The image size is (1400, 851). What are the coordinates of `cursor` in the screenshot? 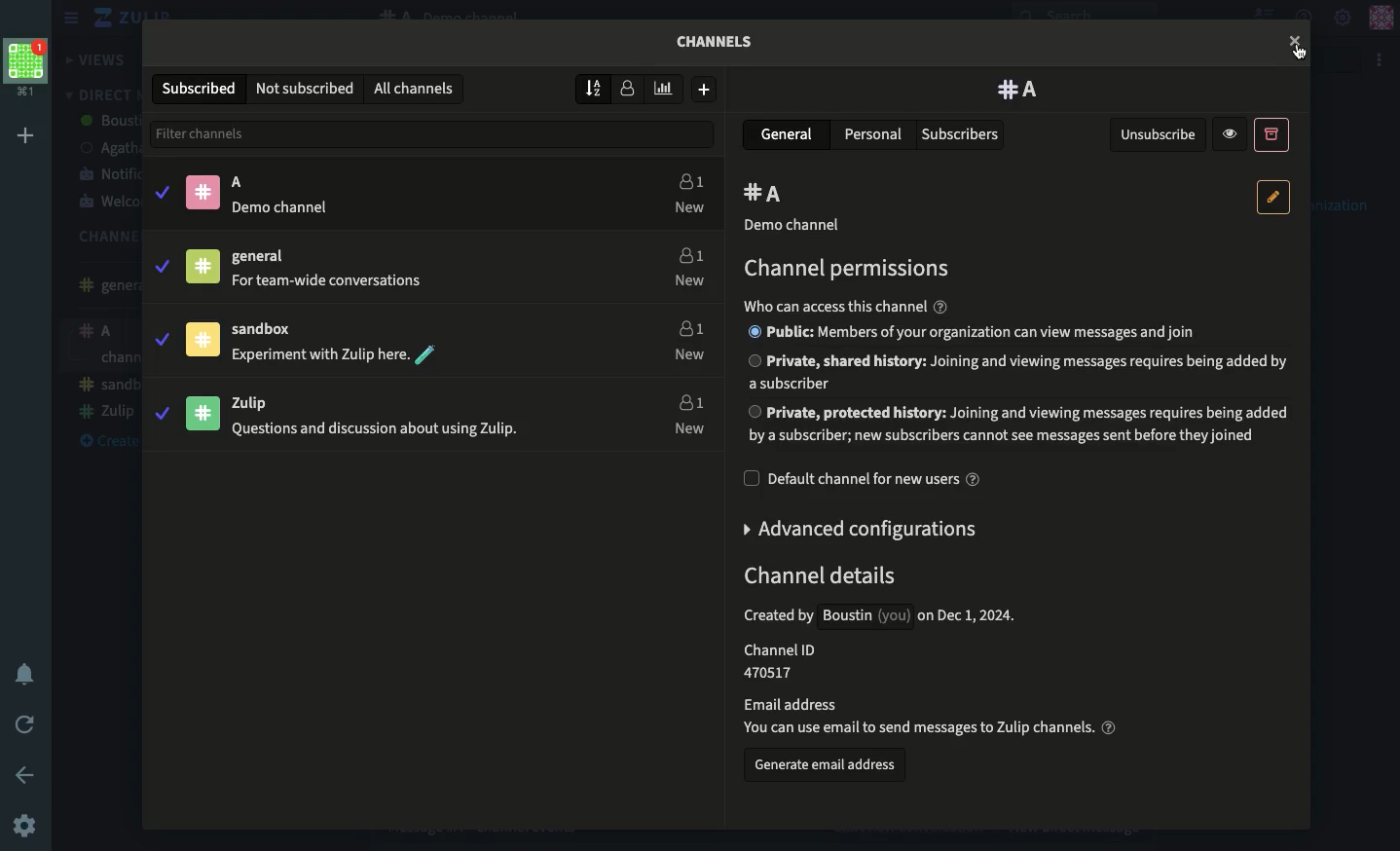 It's located at (1301, 53).